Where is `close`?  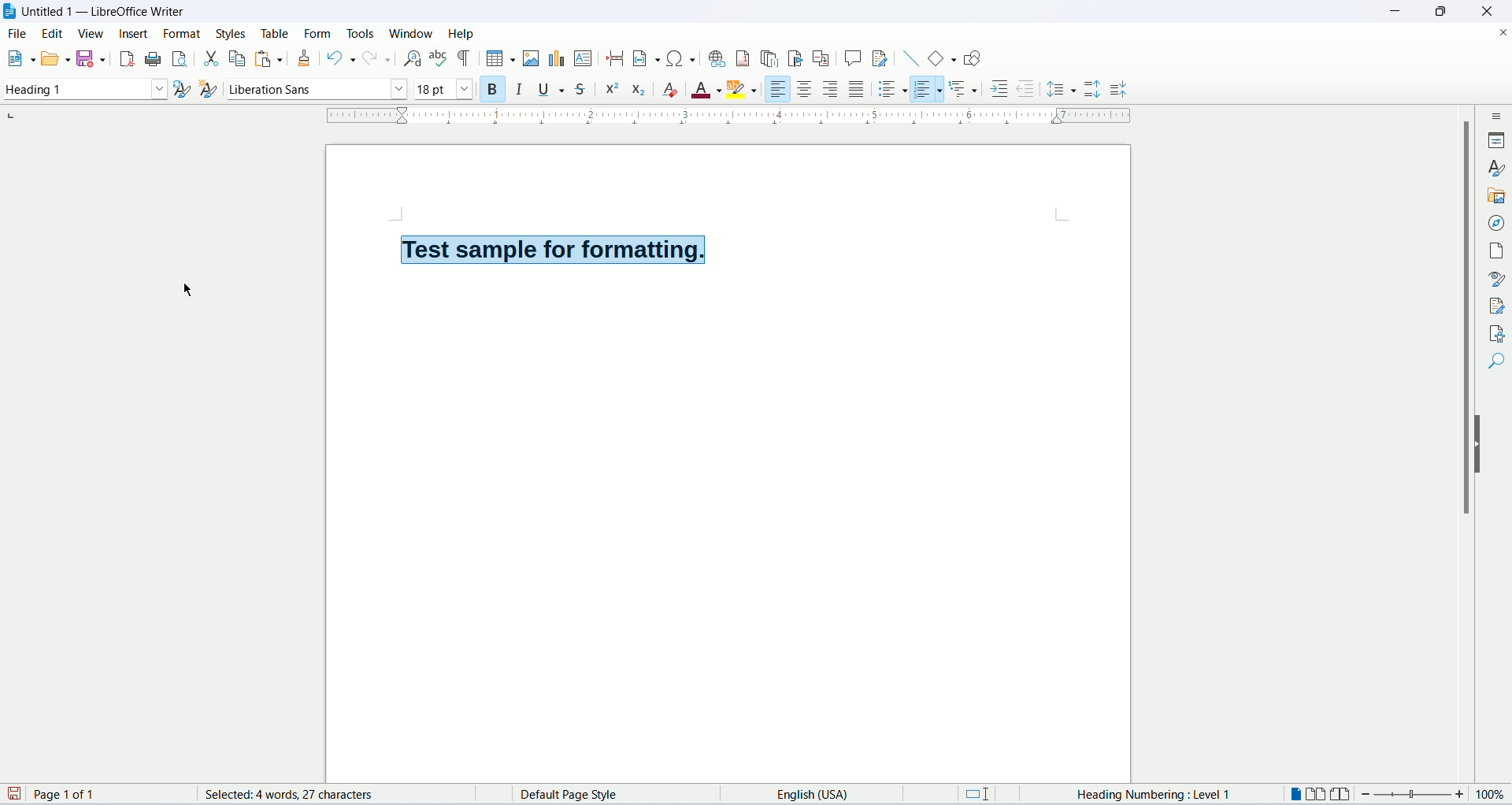
close is located at coordinates (1484, 11).